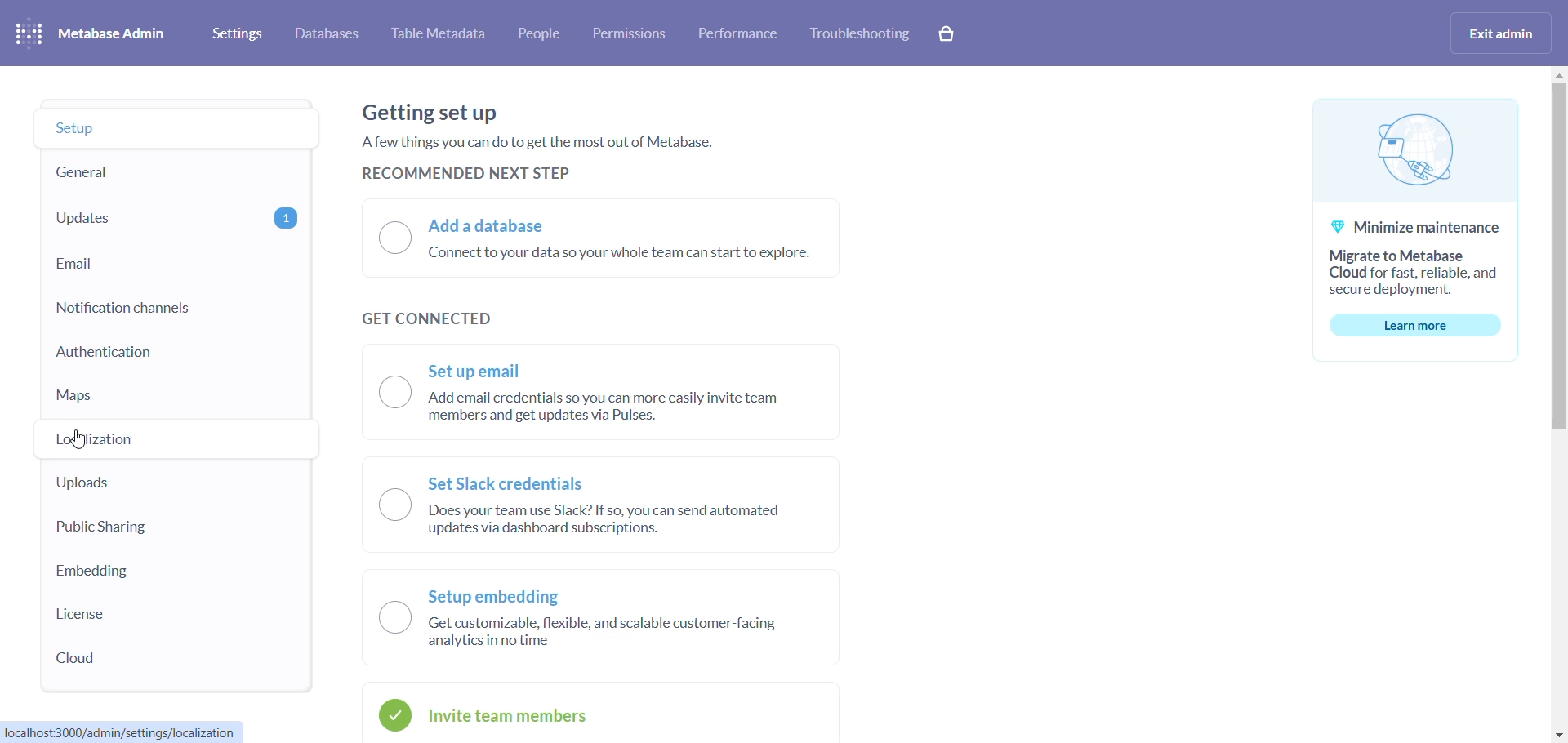 Image resolution: width=1568 pixels, height=743 pixels. I want to click on learn more, so click(1414, 325).